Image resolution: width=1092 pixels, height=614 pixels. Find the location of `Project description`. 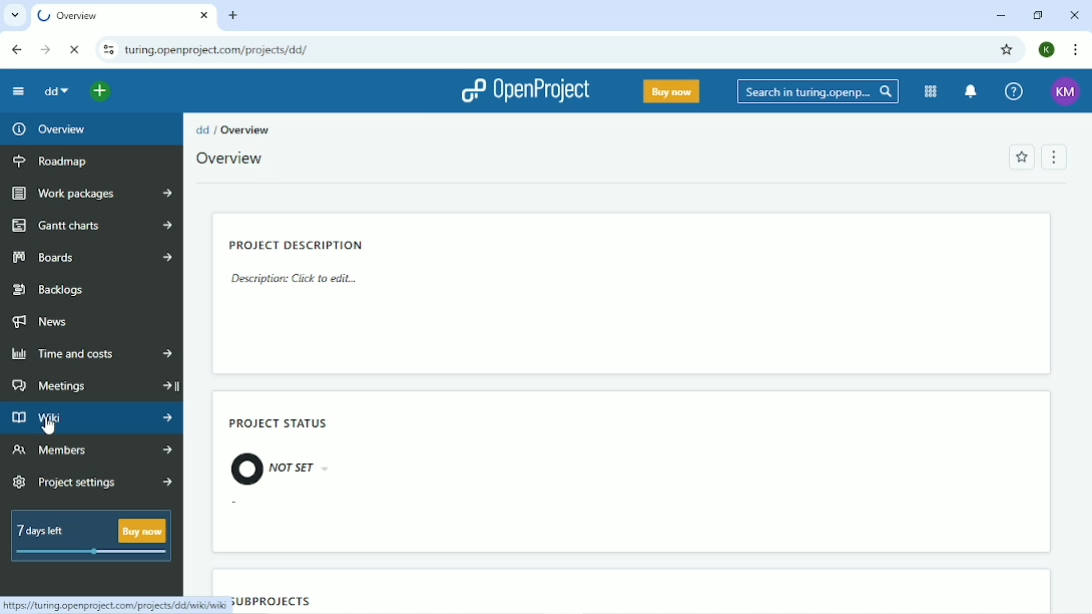

Project description is located at coordinates (296, 244).